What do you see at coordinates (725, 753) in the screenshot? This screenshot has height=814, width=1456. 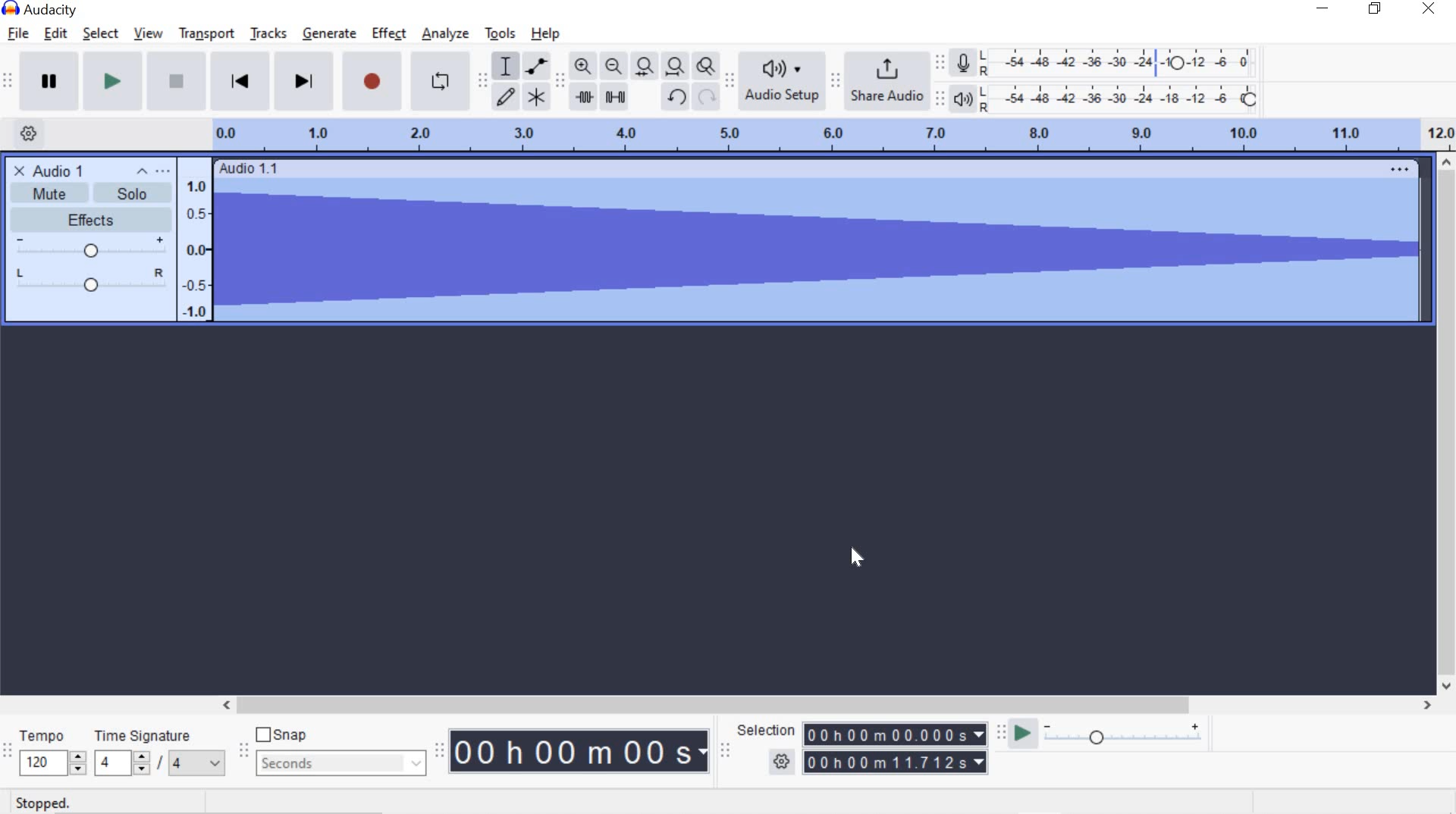 I see `time selection` at bounding box center [725, 753].